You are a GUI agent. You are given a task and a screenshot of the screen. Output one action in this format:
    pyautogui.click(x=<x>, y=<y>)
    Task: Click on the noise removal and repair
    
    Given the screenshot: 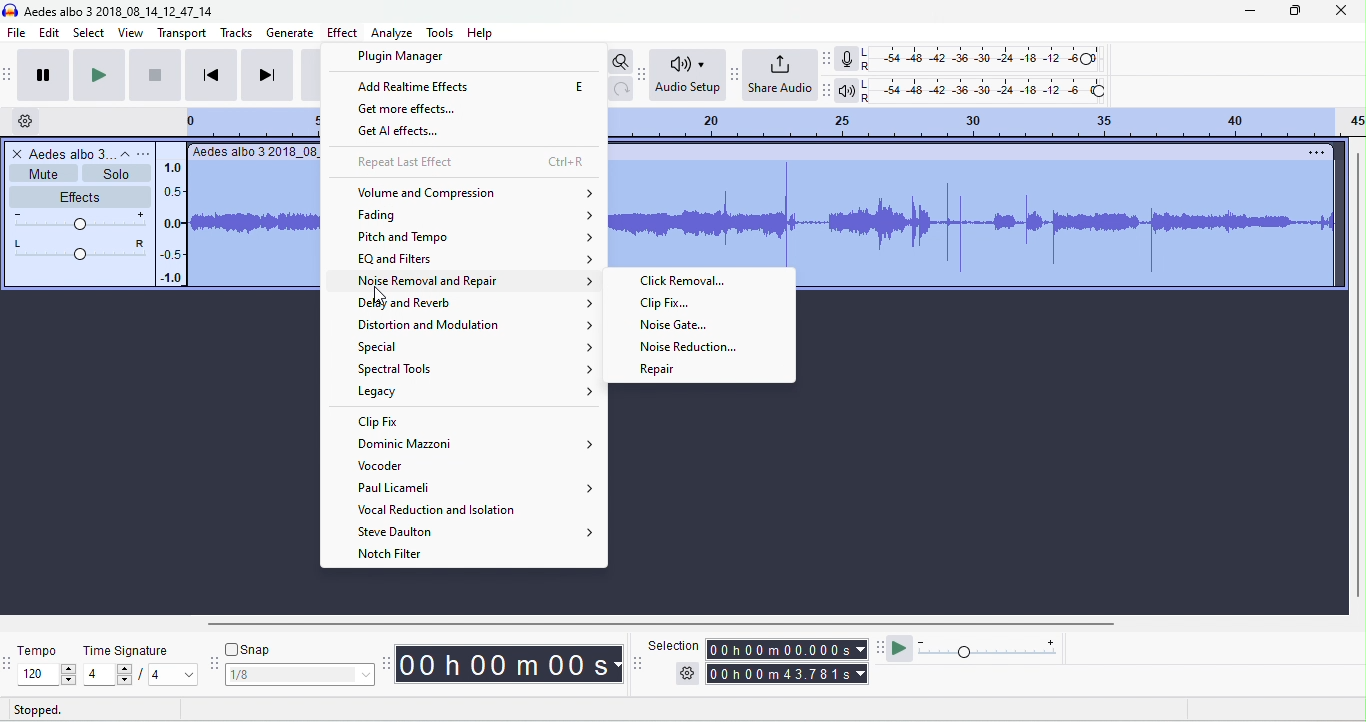 What is the action you would take?
    pyautogui.click(x=477, y=284)
    